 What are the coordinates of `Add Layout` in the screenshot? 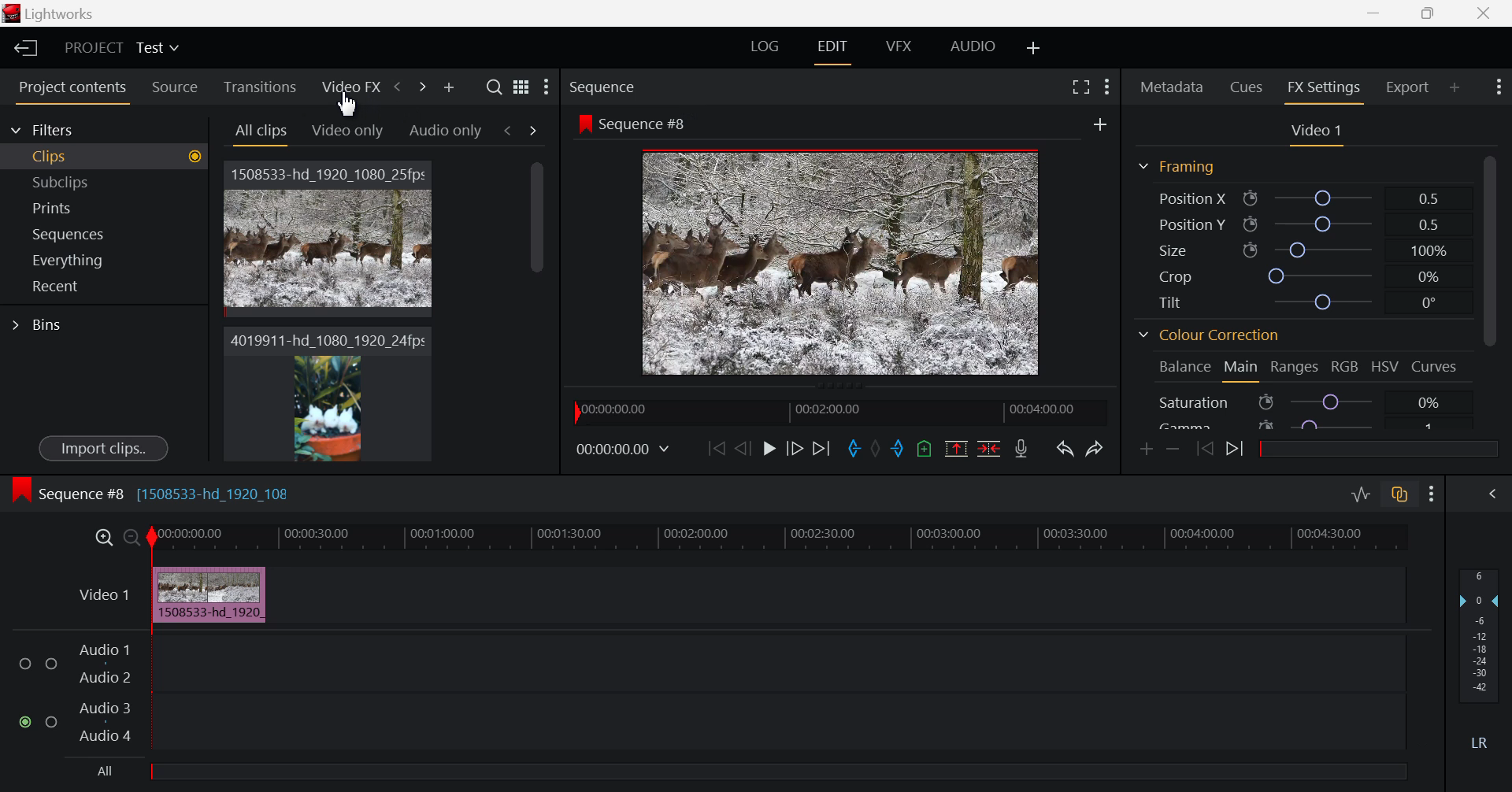 It's located at (1035, 50).